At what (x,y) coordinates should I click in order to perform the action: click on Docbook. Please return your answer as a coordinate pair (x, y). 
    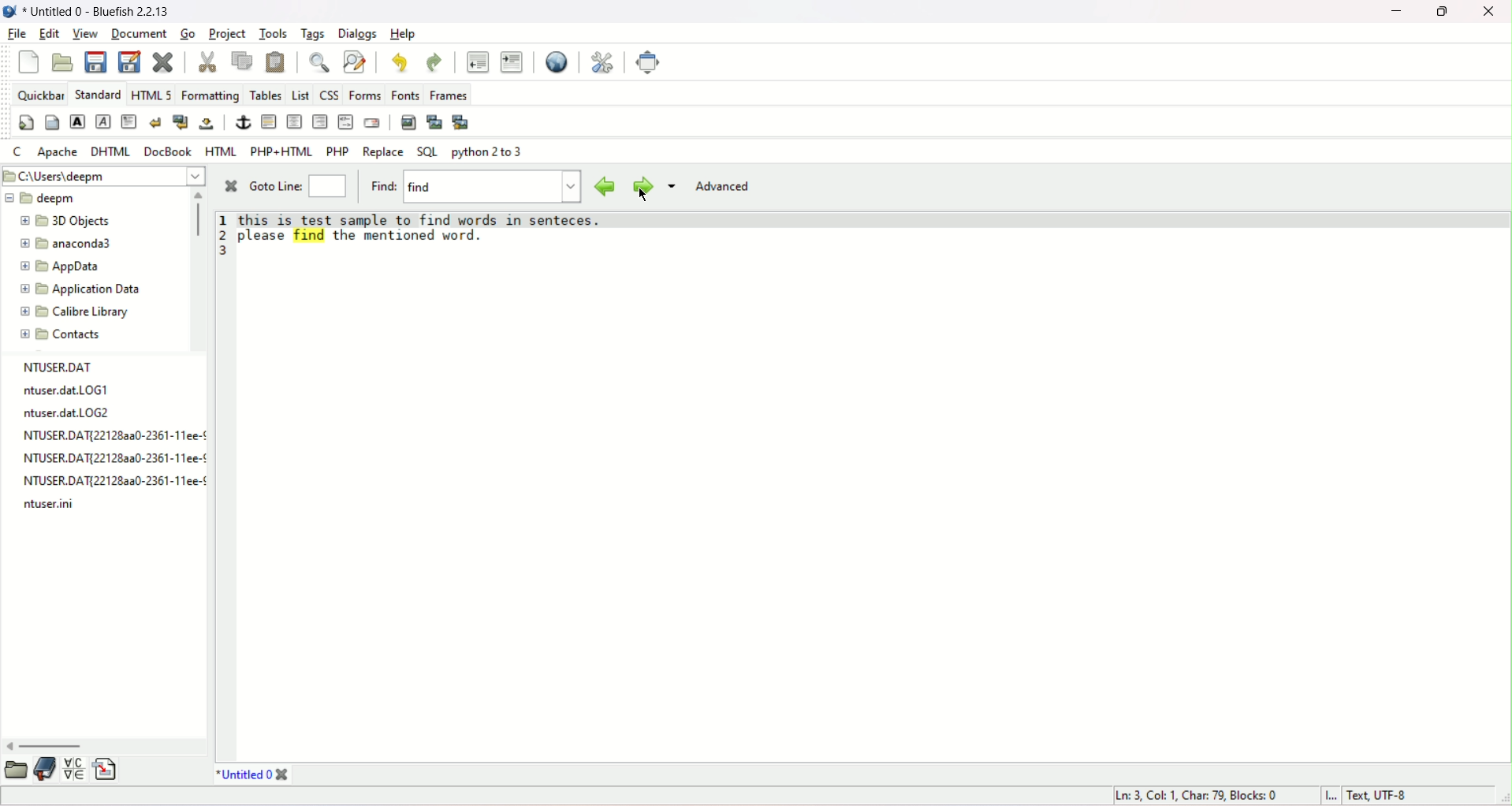
    Looking at the image, I should click on (169, 151).